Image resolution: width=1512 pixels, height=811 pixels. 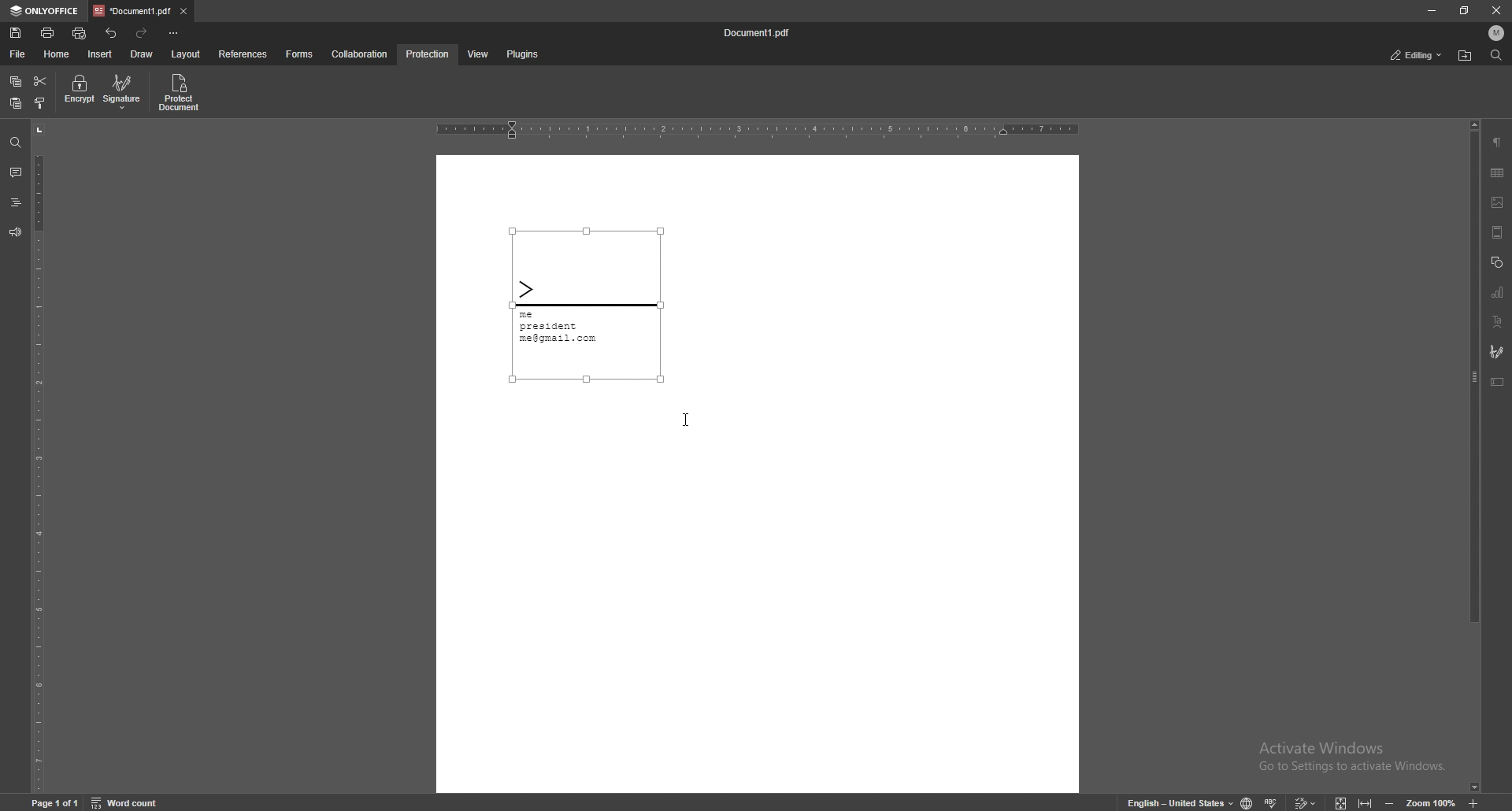 I want to click on signature, so click(x=124, y=91).